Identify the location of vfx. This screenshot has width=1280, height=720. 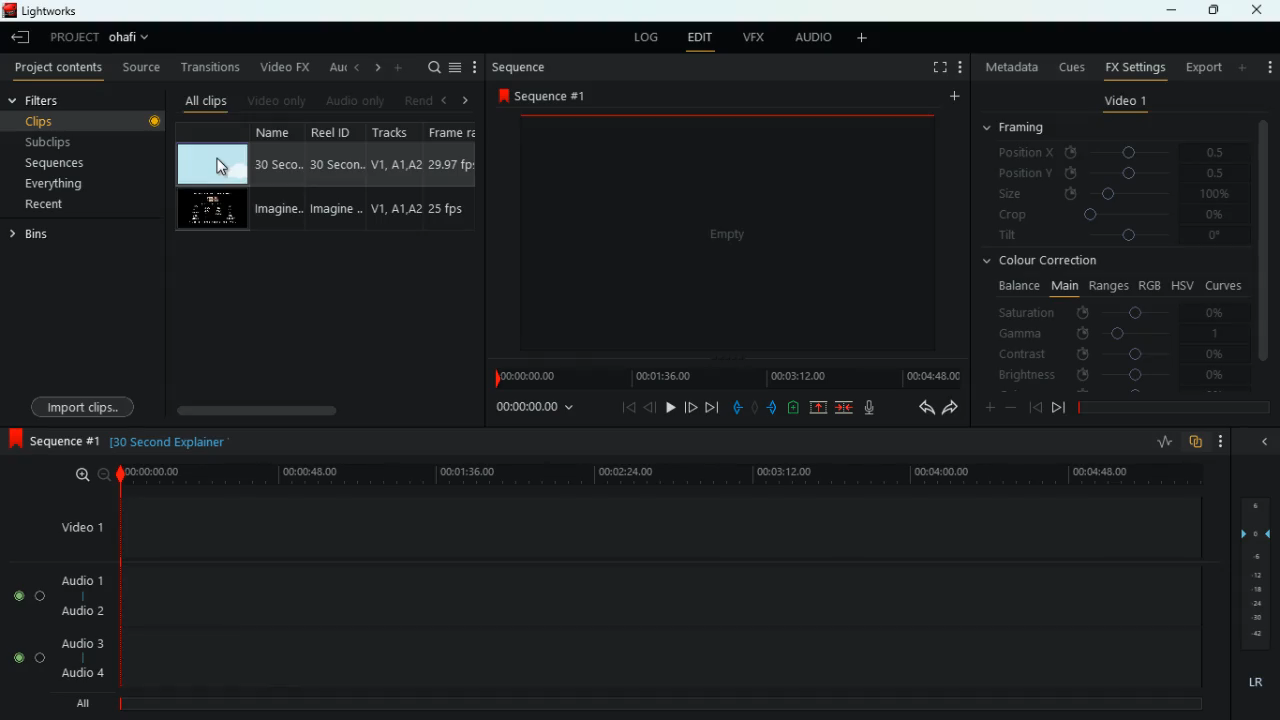
(750, 38).